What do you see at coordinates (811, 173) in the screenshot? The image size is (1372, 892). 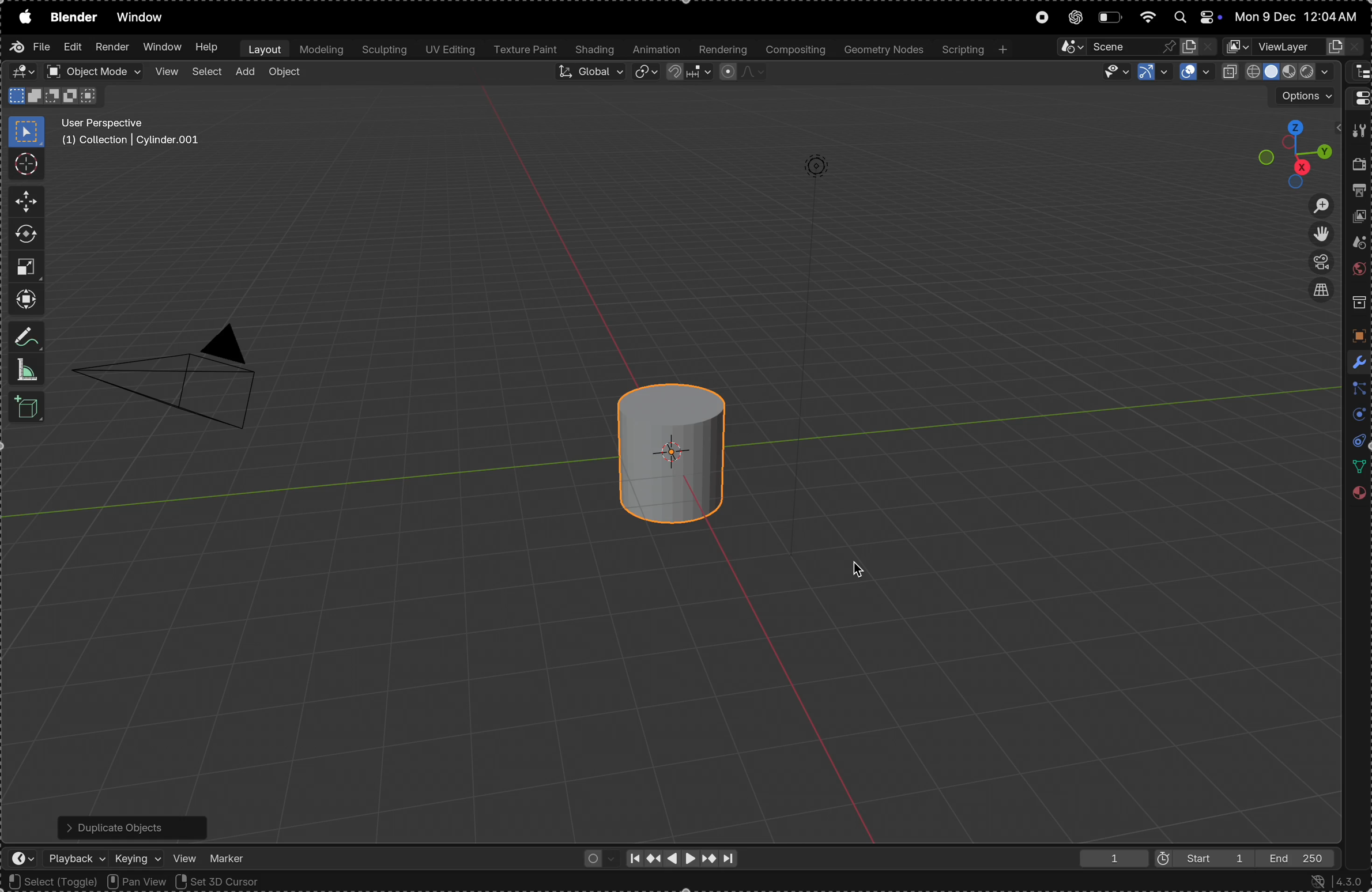 I see `lights` at bounding box center [811, 173].